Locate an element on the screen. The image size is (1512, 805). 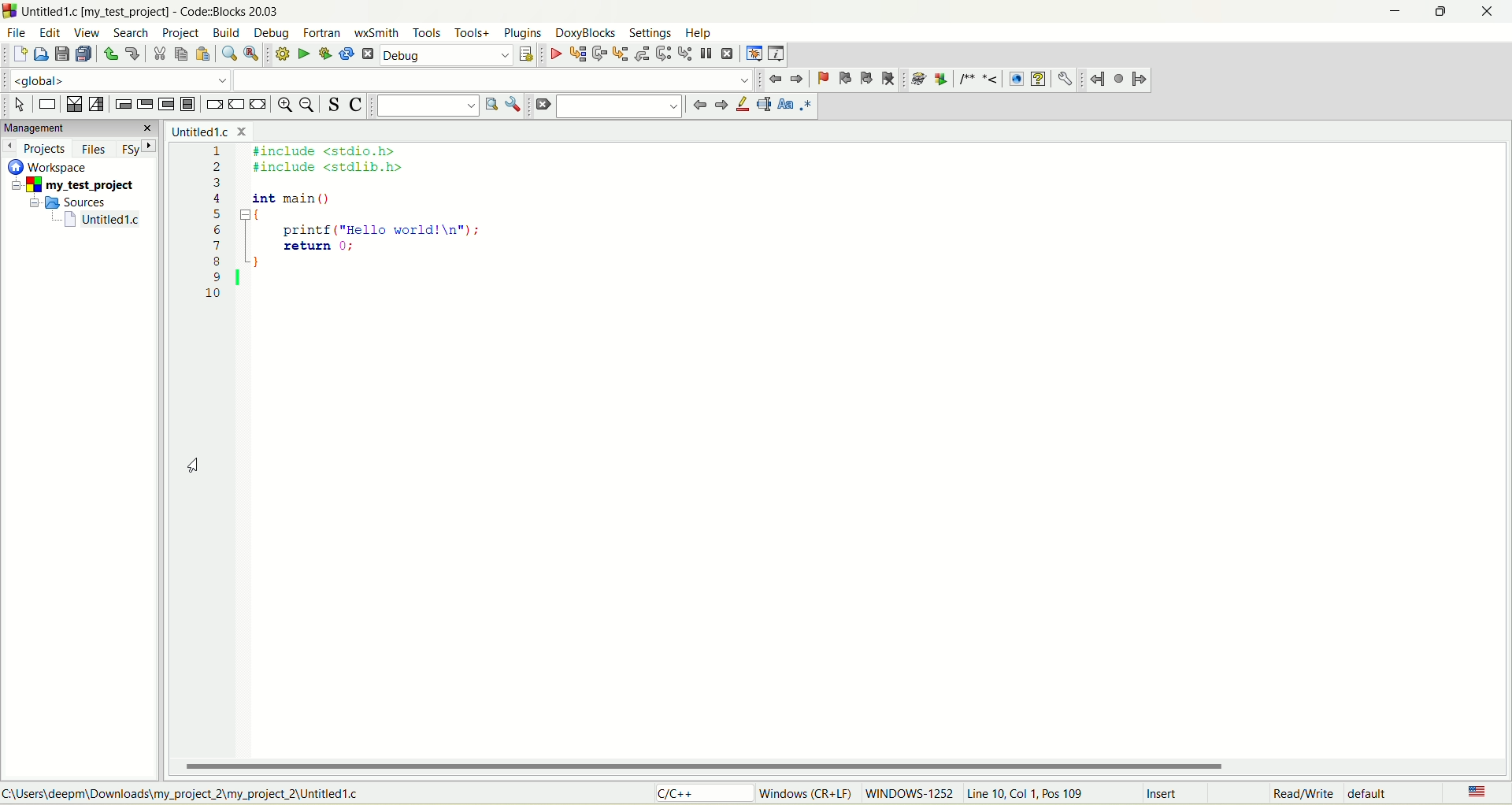
cut is located at coordinates (160, 54).